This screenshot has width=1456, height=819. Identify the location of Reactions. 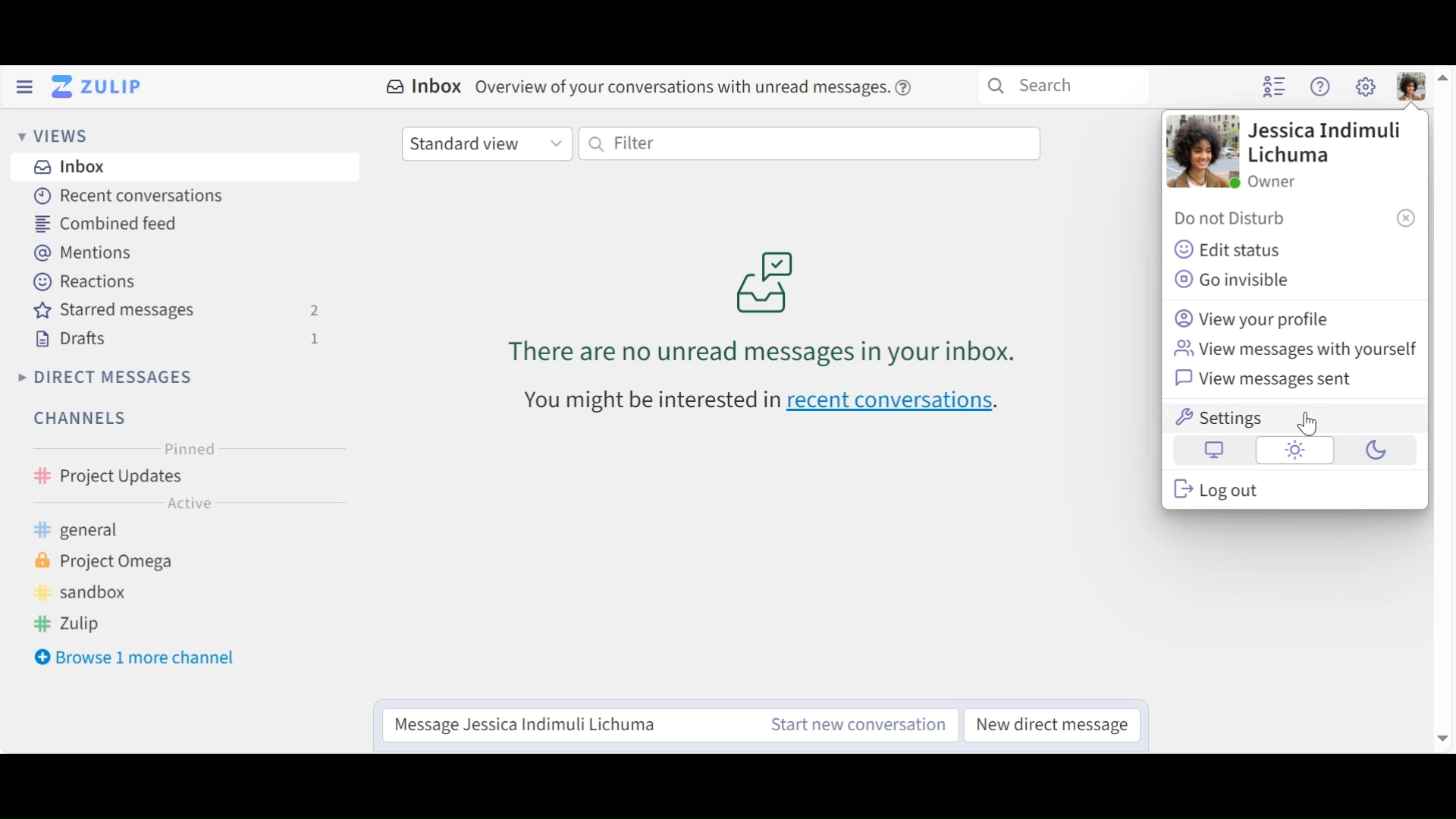
(86, 281).